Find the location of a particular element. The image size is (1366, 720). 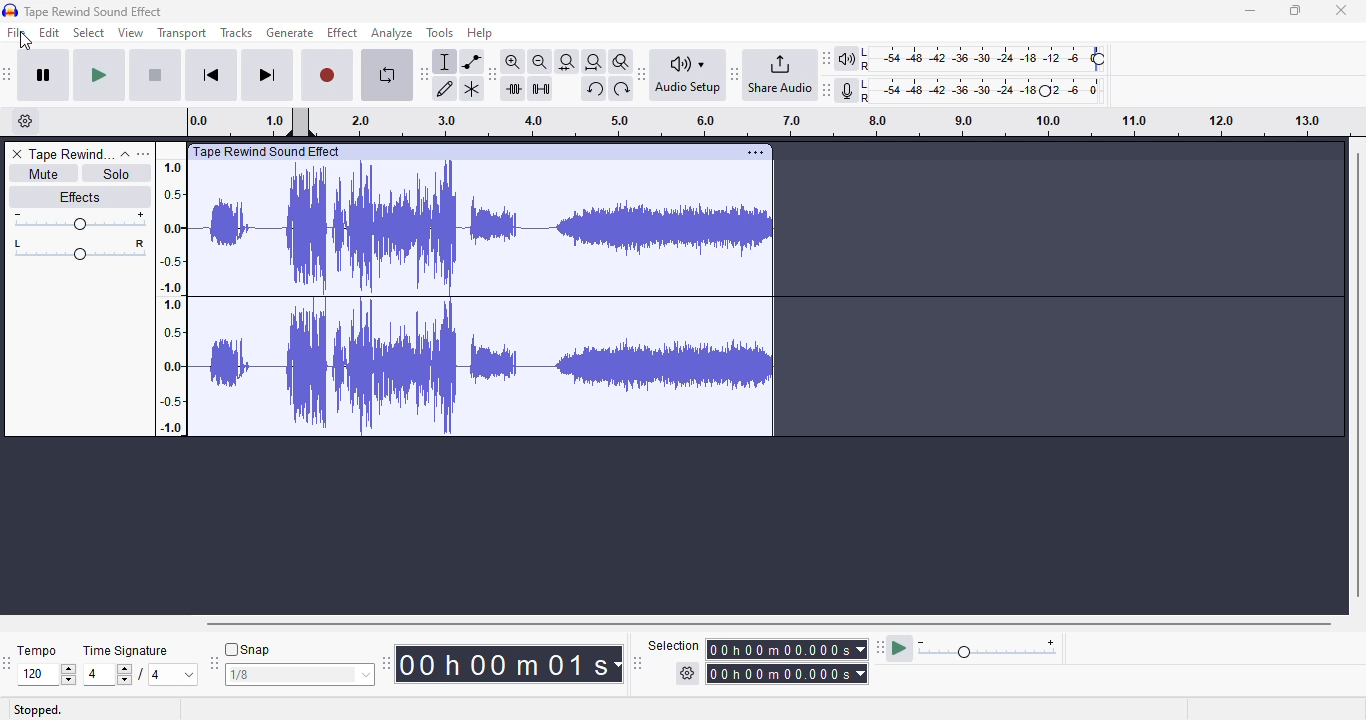

mute is located at coordinates (41, 173).